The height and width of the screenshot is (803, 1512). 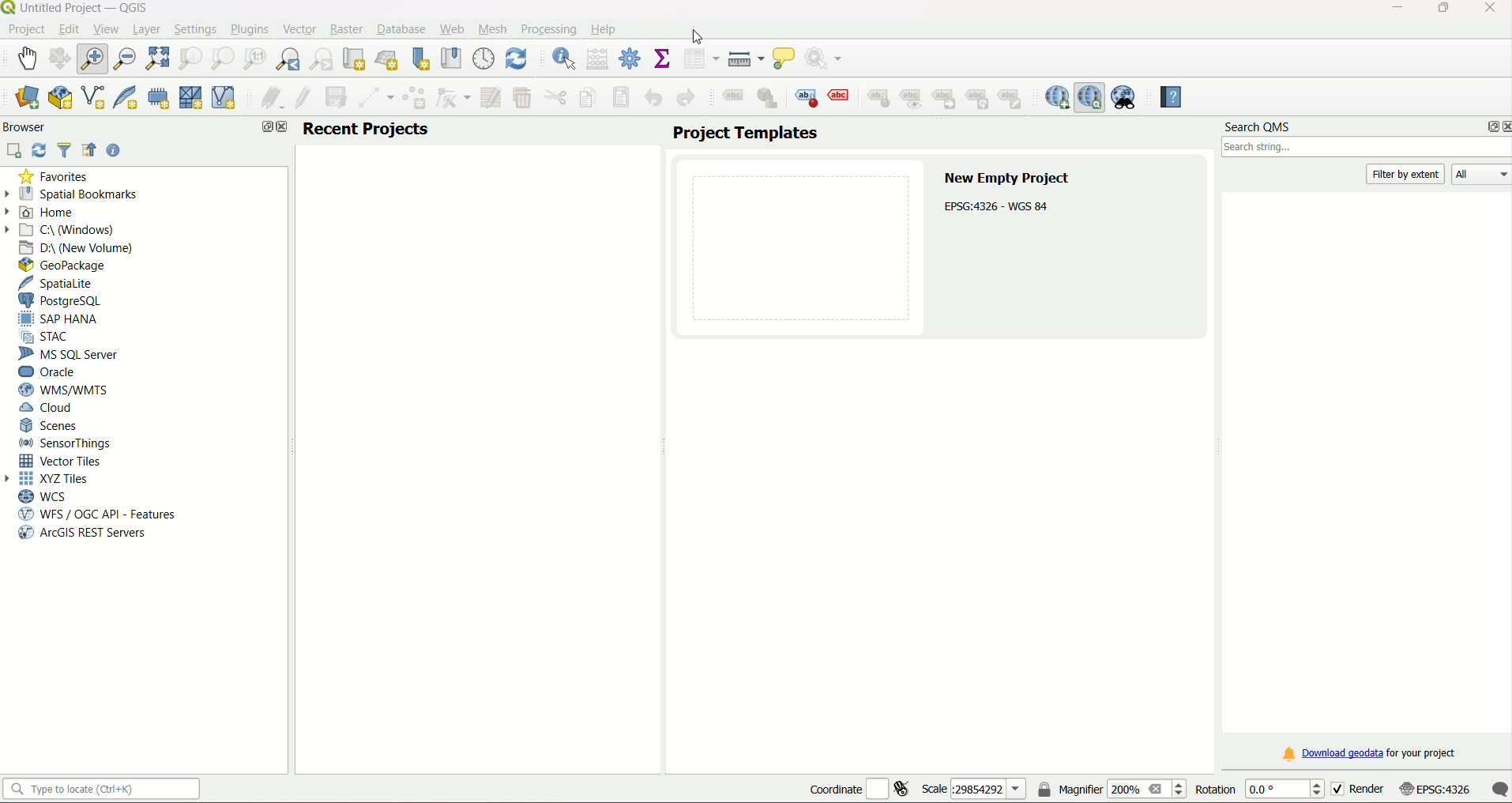 I want to click on help, so click(x=1167, y=97).